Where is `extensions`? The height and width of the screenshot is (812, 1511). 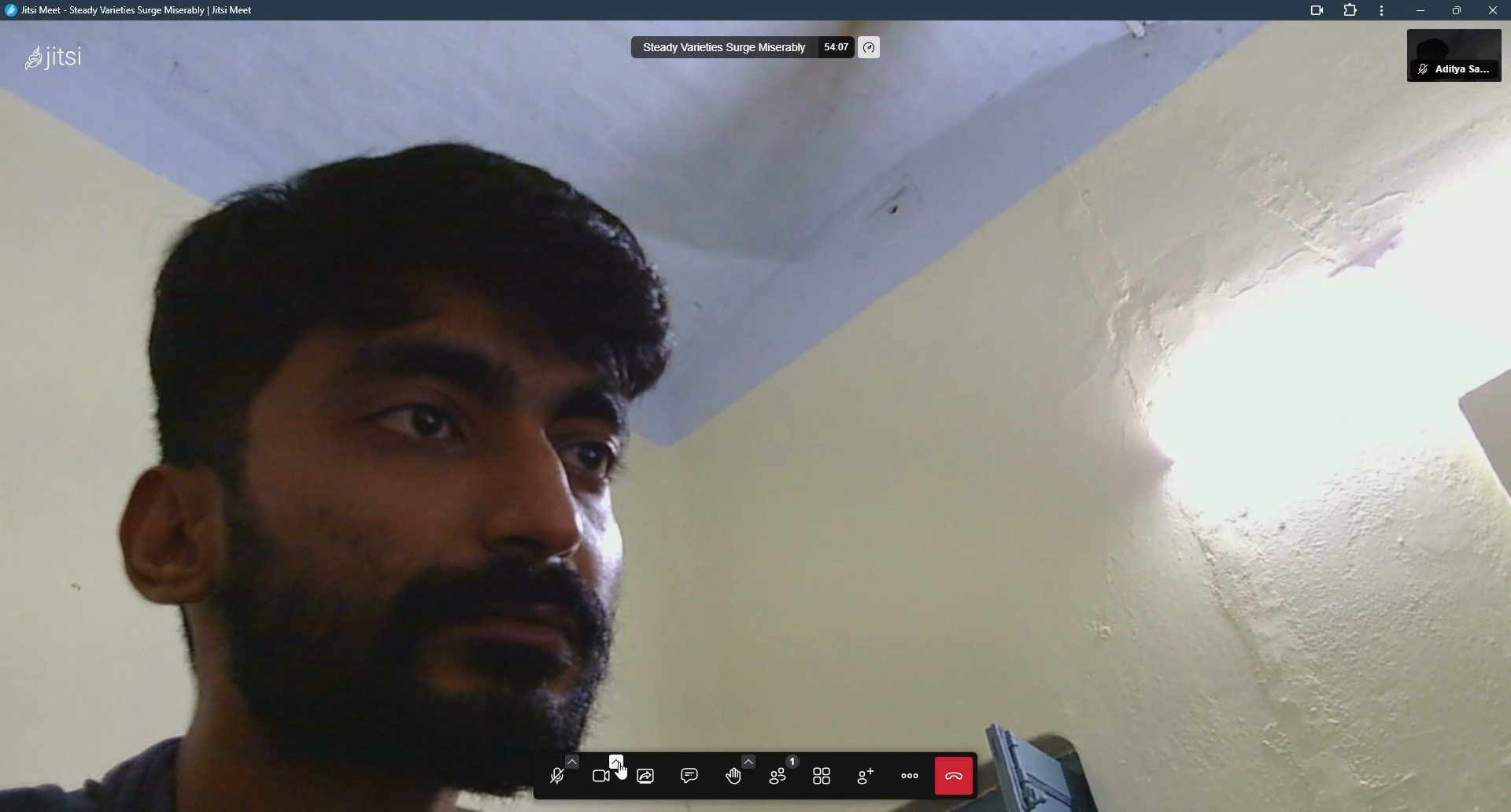
extensions is located at coordinates (1352, 12).